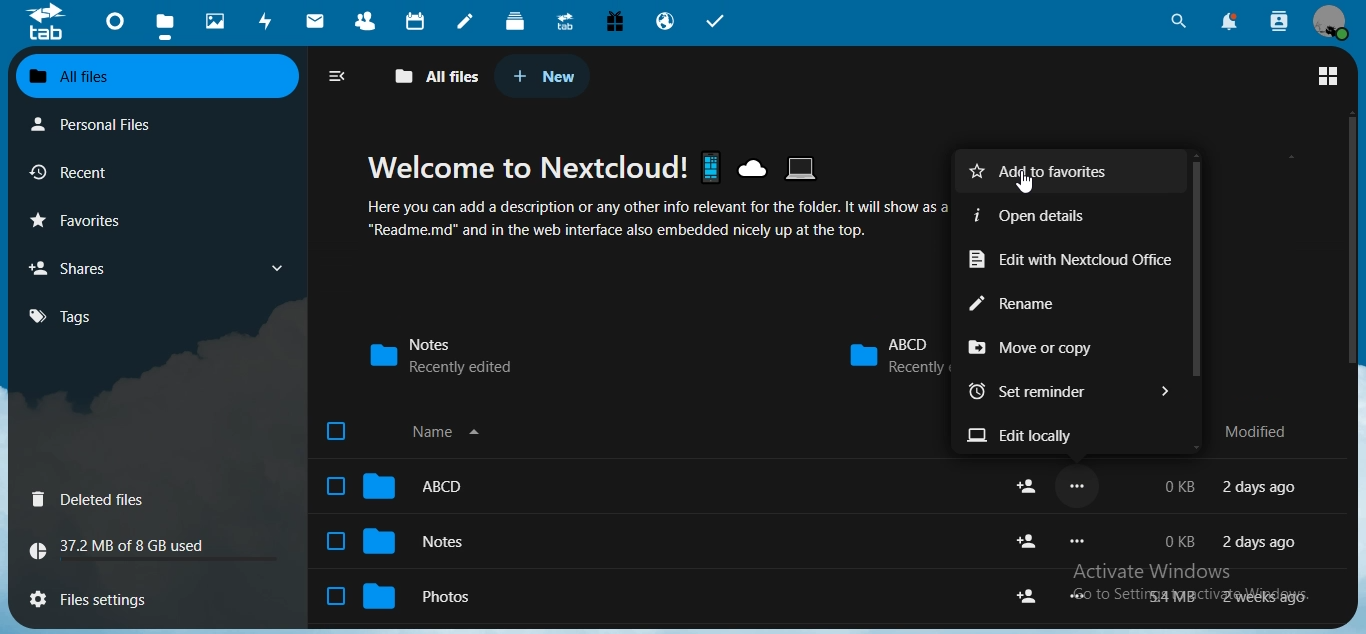 This screenshot has height=634, width=1366. What do you see at coordinates (400, 541) in the screenshot?
I see `notes` at bounding box center [400, 541].